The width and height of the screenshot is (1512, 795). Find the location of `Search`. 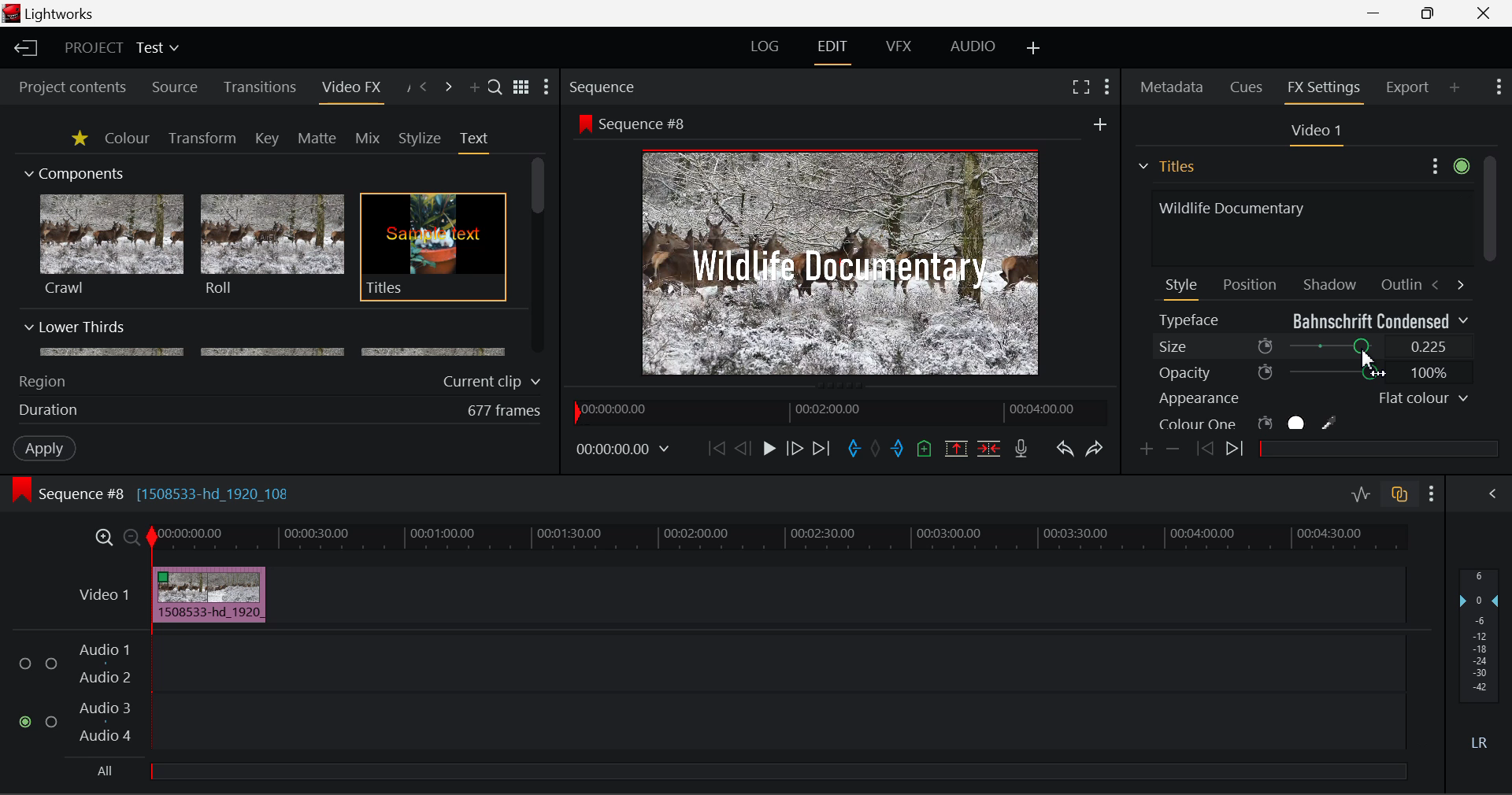

Search is located at coordinates (496, 86).